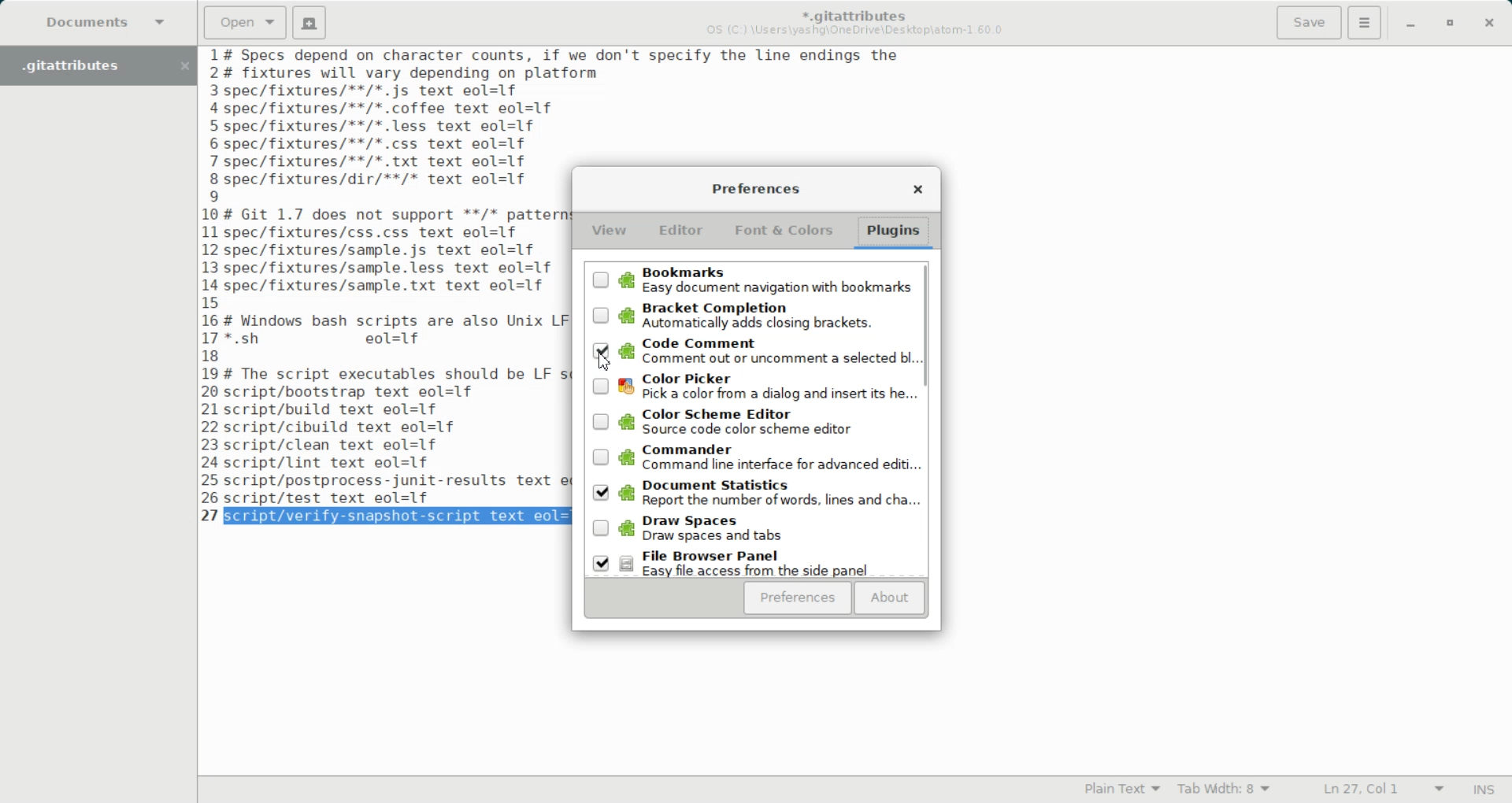 Image resolution: width=1512 pixels, height=803 pixels. I want to click on Preferences, so click(796, 599).